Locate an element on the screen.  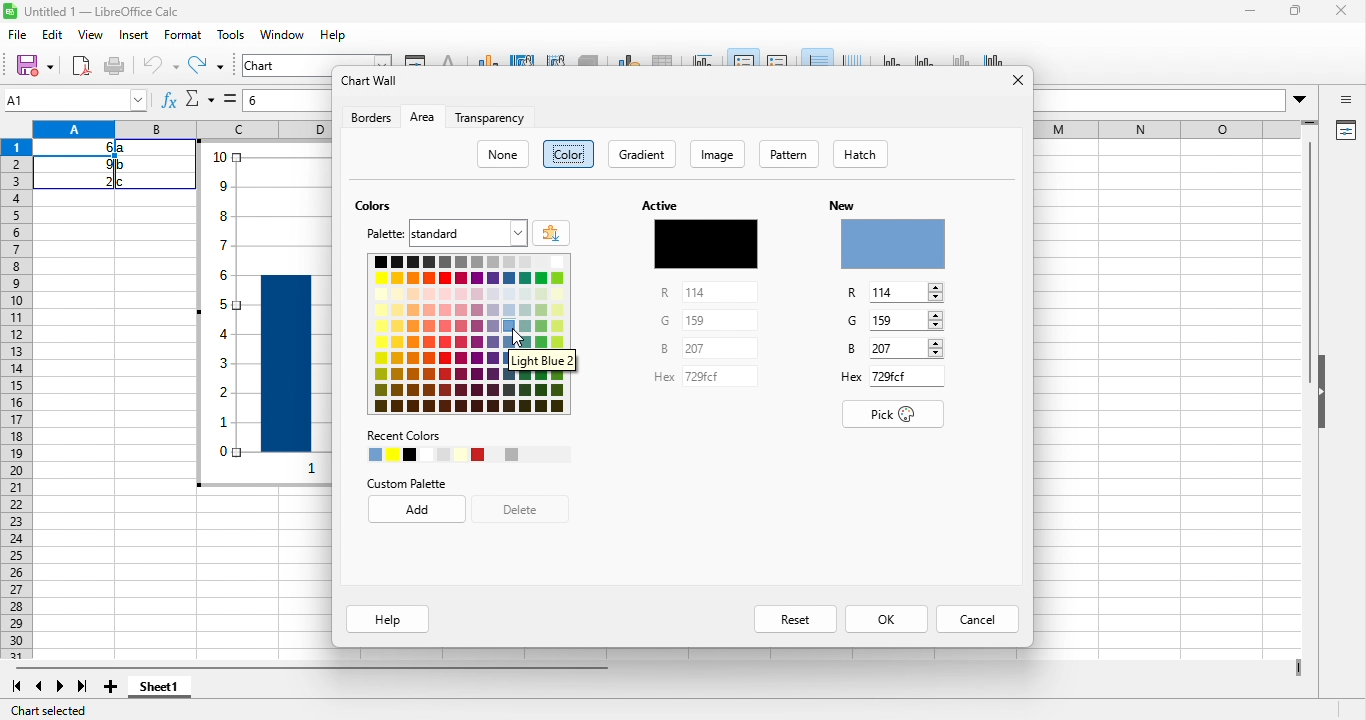
title is located at coordinates (94, 12).